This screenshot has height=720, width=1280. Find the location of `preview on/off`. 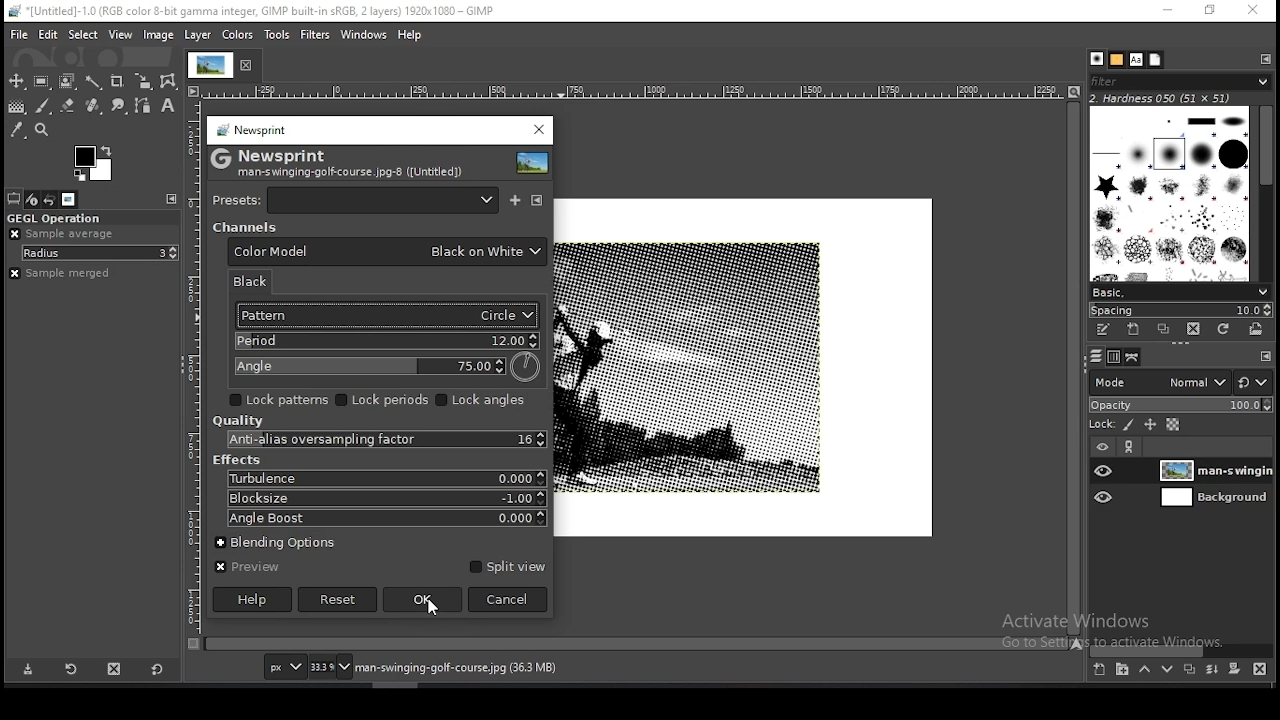

preview on/off is located at coordinates (247, 568).